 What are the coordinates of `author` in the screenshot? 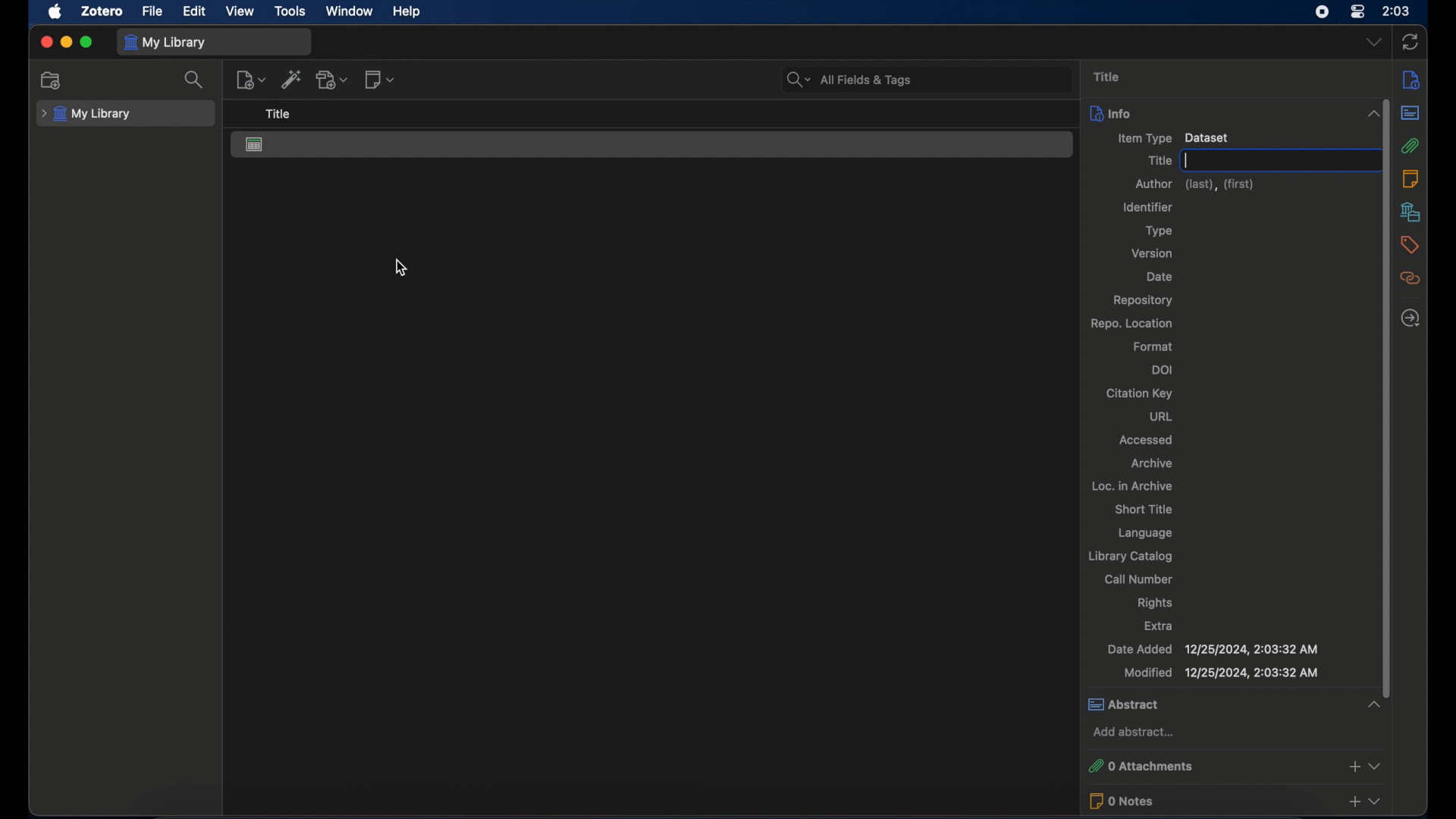 It's located at (1194, 185).